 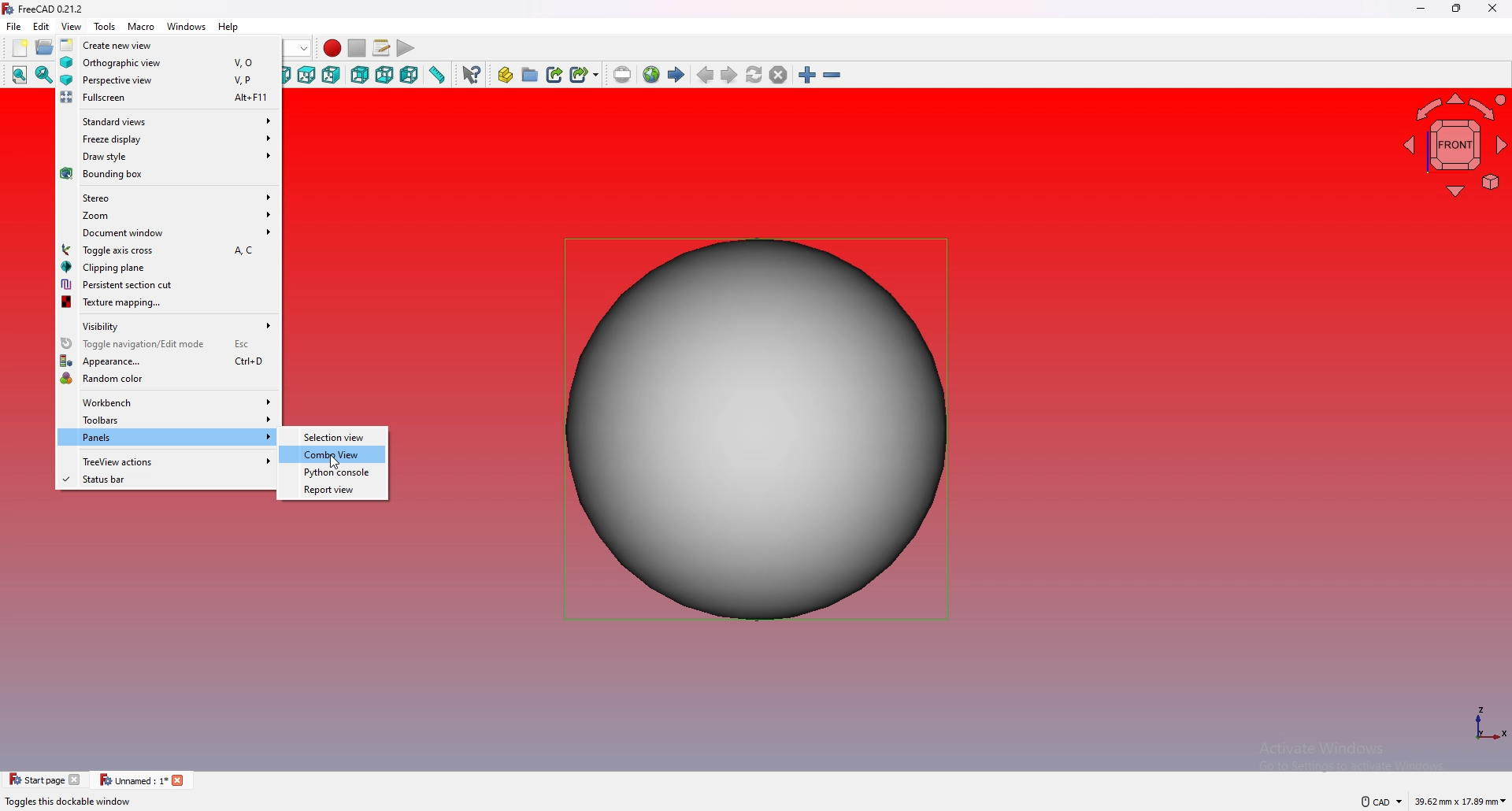 I want to click on python console, so click(x=334, y=472).